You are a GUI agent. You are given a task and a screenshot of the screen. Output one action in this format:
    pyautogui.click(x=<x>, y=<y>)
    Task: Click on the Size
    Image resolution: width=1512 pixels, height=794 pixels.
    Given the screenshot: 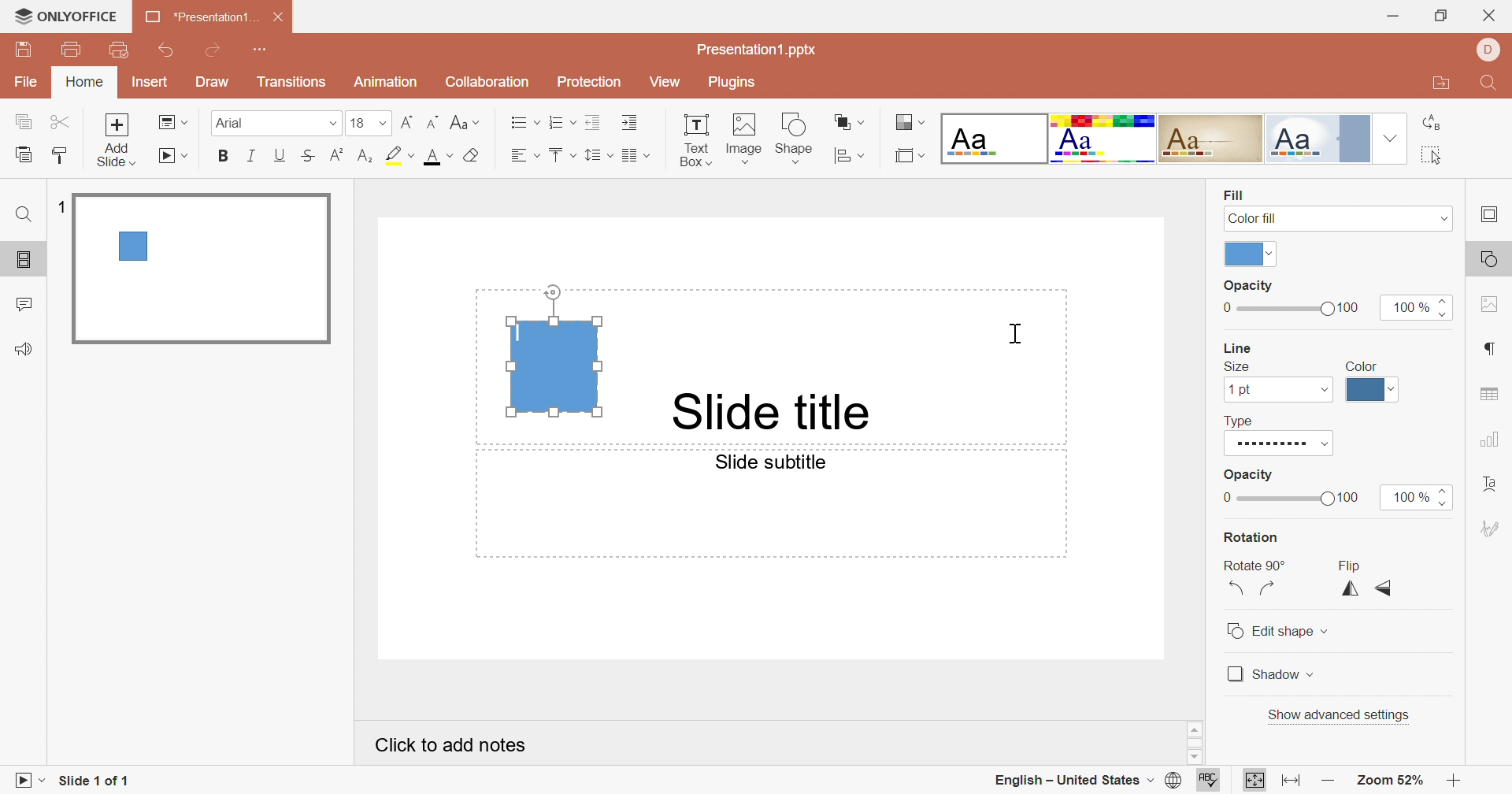 What is the action you would take?
    pyautogui.click(x=1236, y=367)
    